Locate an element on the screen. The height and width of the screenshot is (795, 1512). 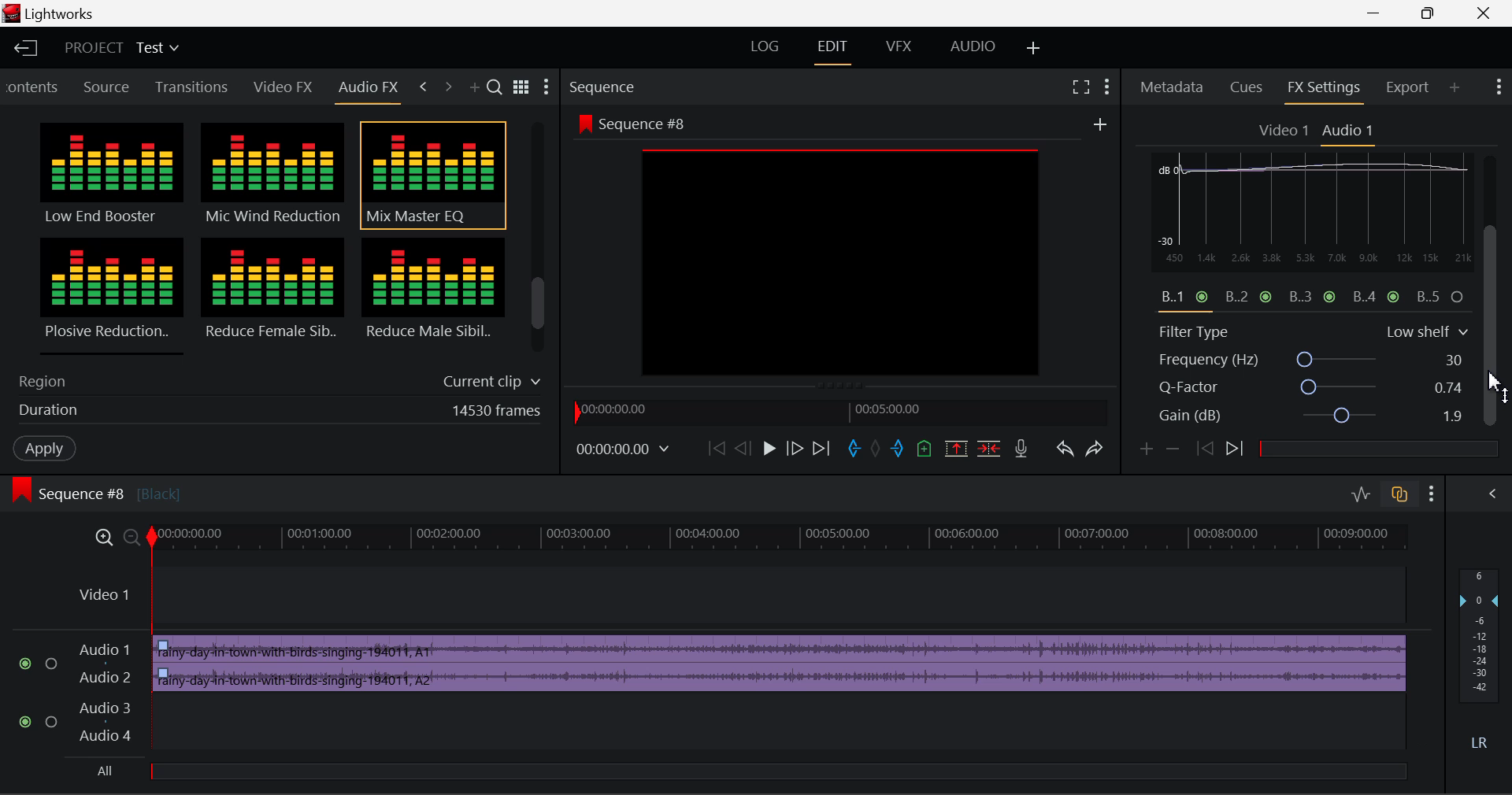
Close is located at coordinates (1476, 13).